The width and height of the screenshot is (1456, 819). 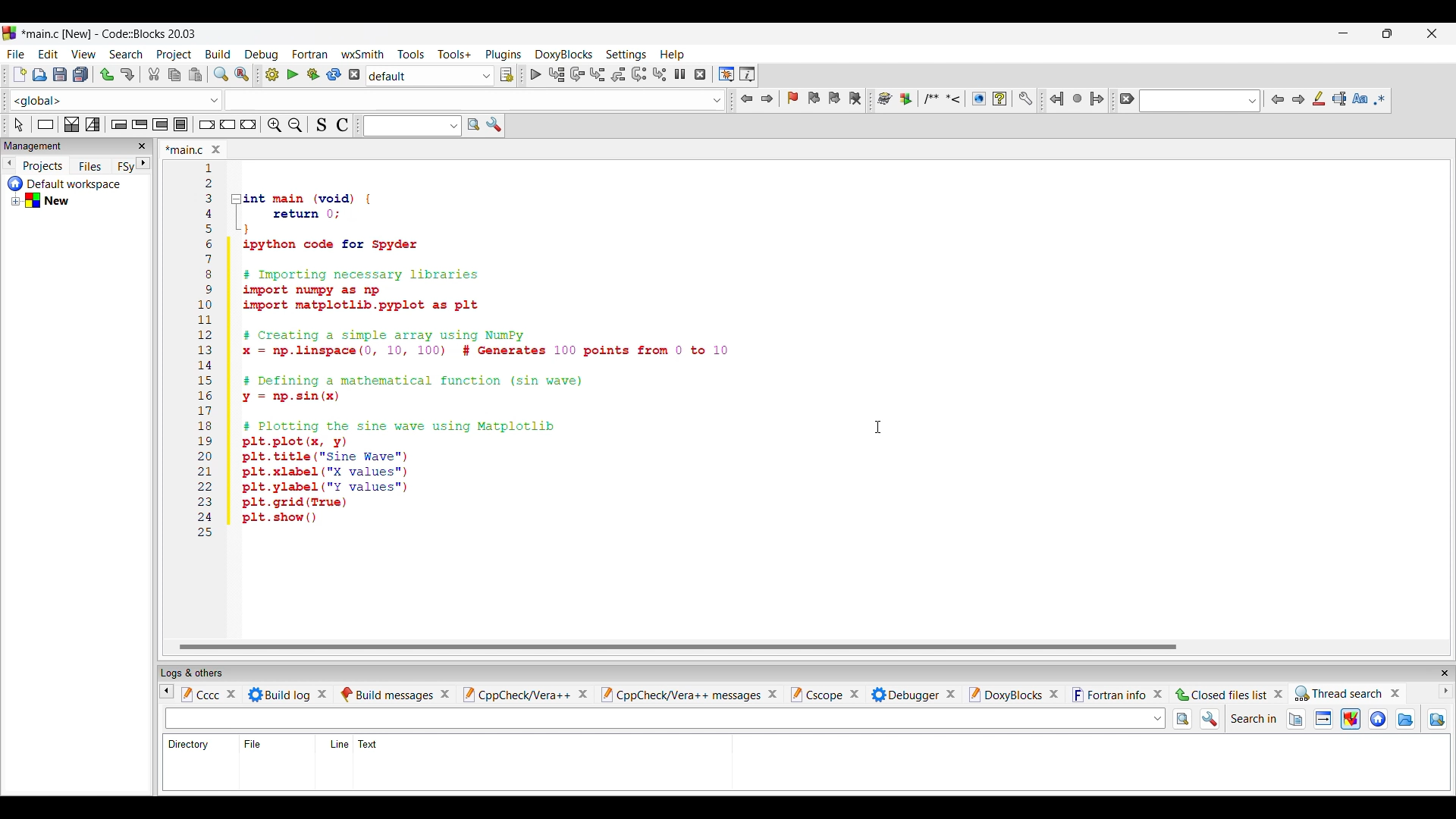 What do you see at coordinates (1122, 99) in the screenshot?
I see `clear` at bounding box center [1122, 99].